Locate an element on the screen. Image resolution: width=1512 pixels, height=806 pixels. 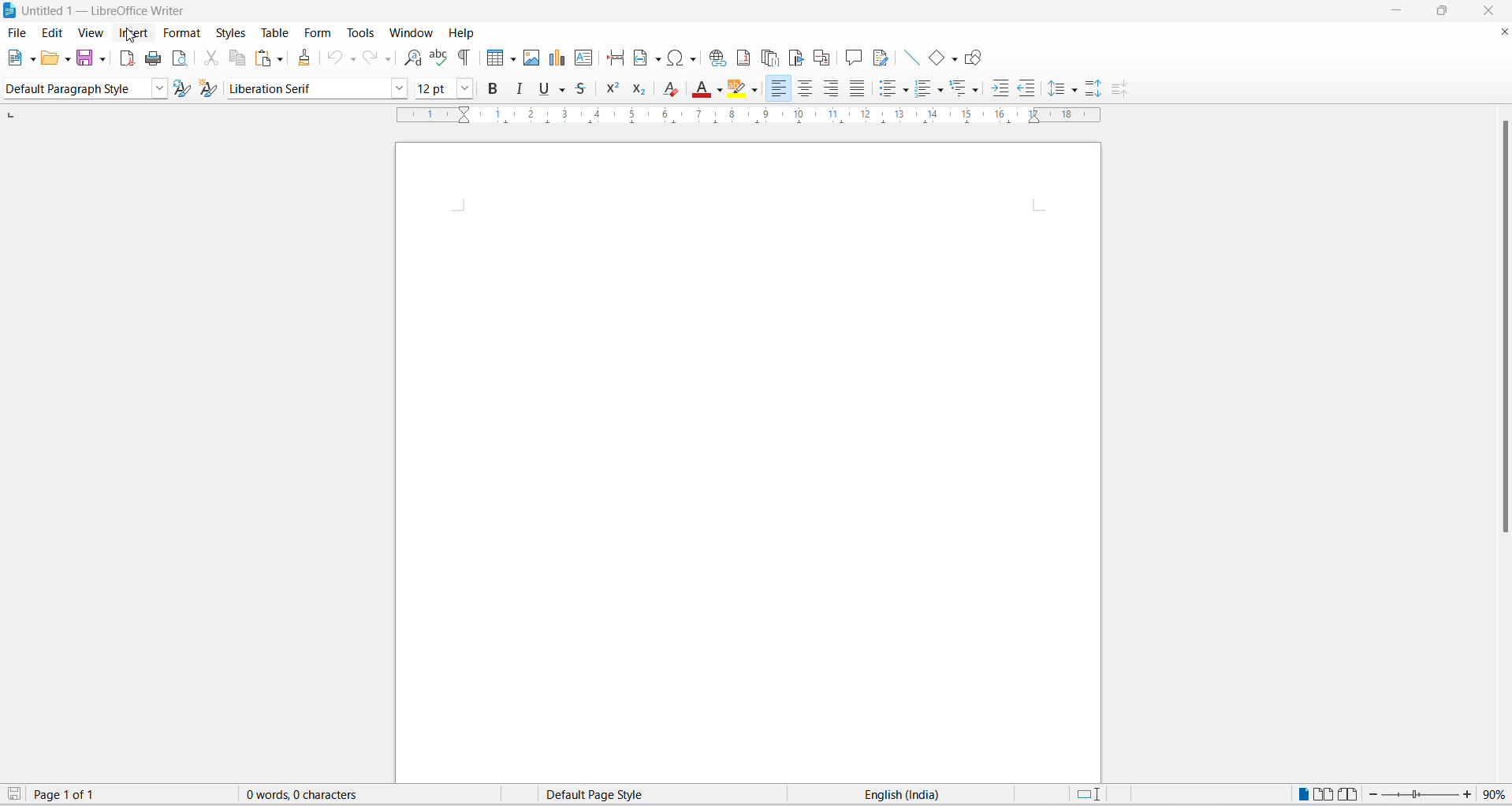
exports as pdf is located at coordinates (123, 58).